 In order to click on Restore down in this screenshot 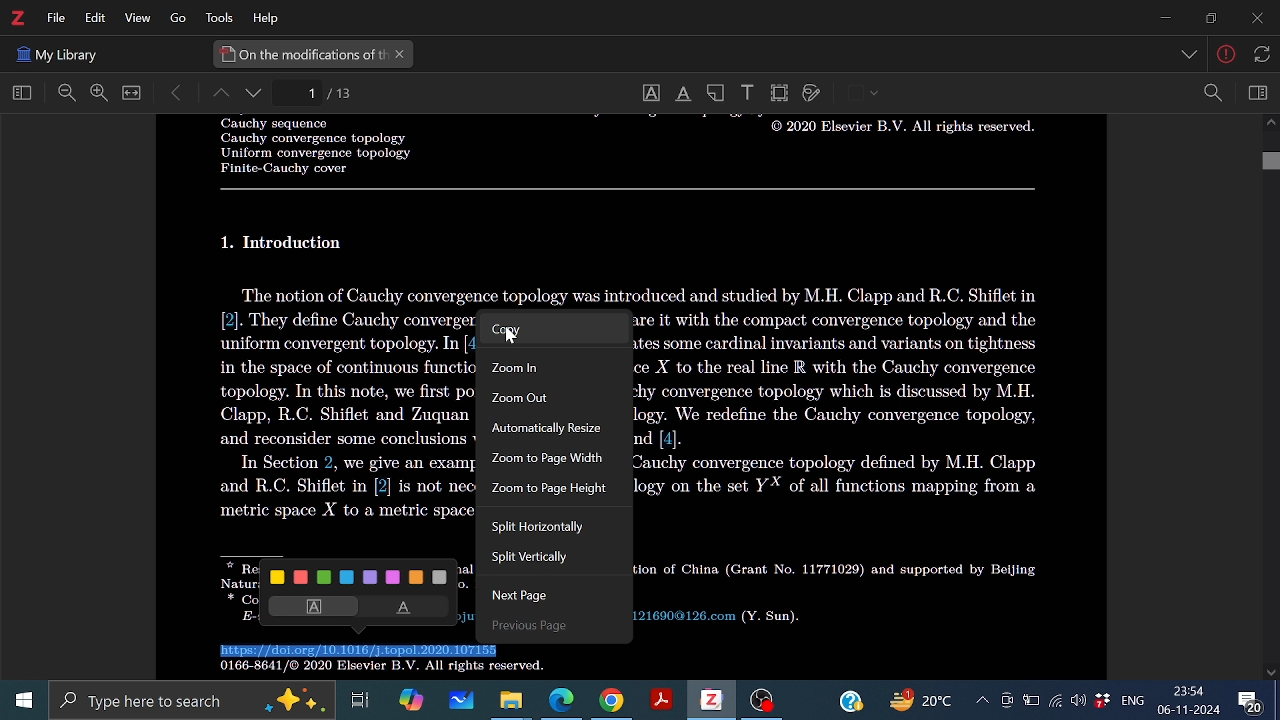, I will do `click(1208, 18)`.